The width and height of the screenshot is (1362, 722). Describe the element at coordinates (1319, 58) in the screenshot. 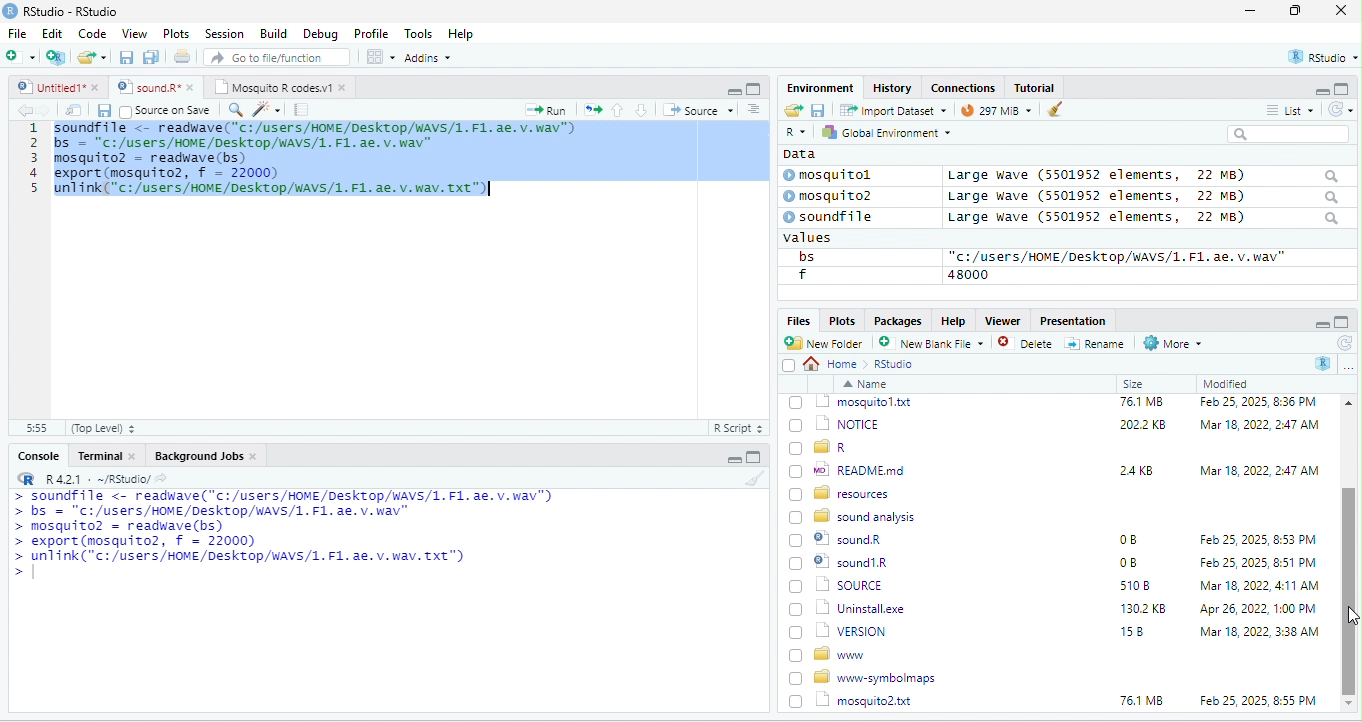

I see `rstudio` at that location.